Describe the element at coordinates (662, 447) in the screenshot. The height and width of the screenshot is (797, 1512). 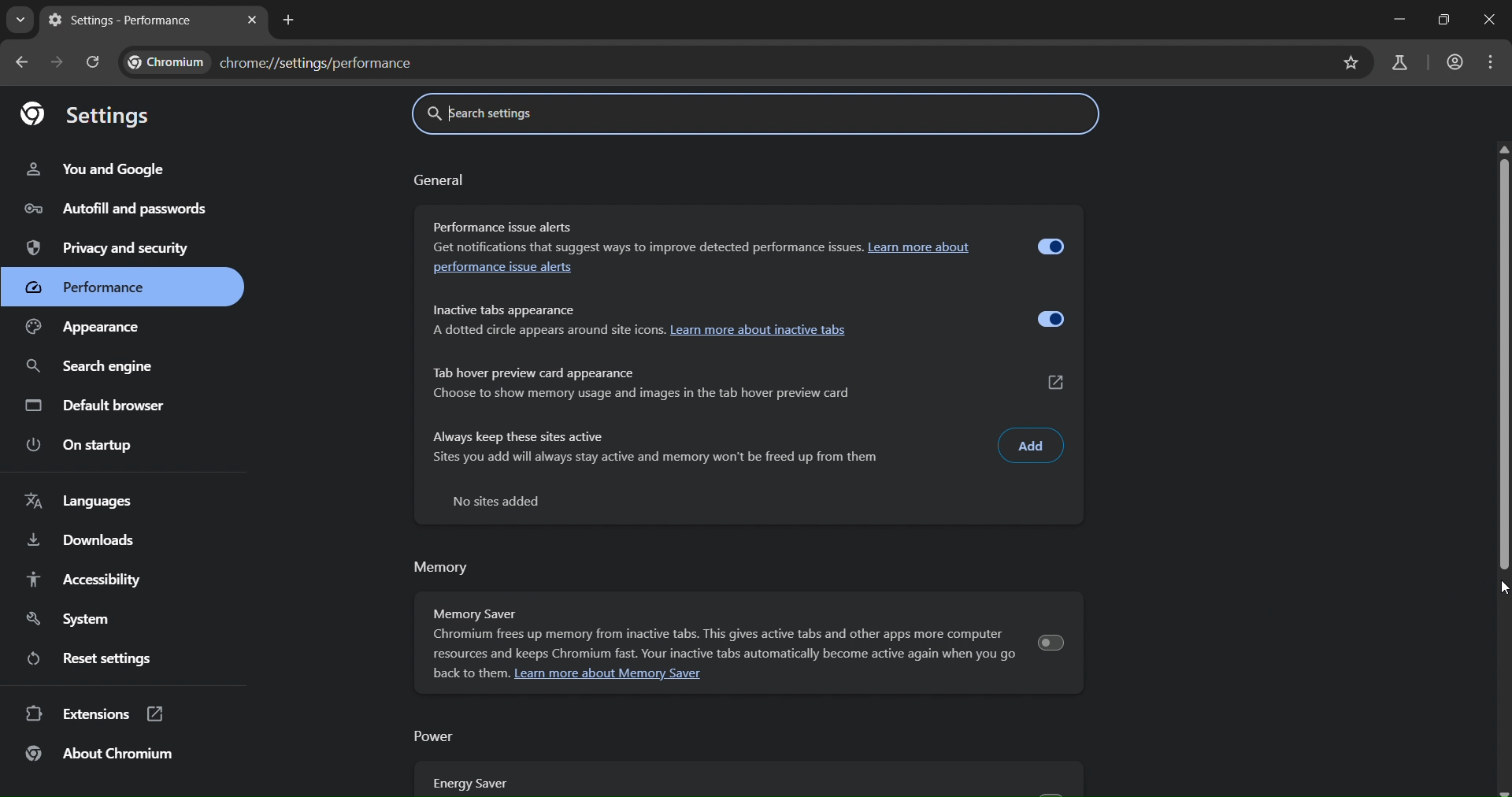
I see `Always keep these sites active
Sites you add will always stay active and memory won't be freed up from them` at that location.